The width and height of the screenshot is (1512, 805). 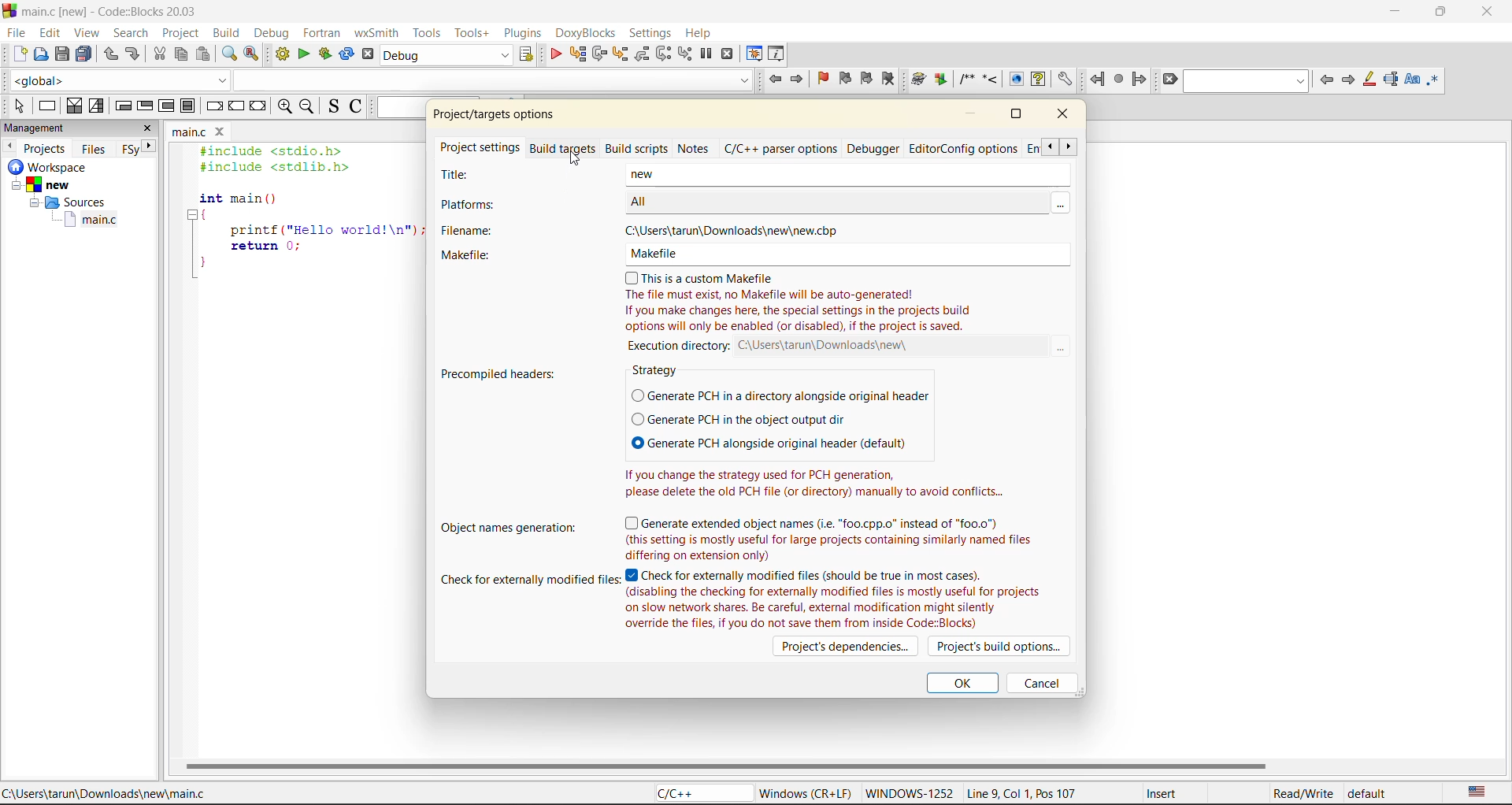 I want to click on Open DoxyBlocks' preferences, so click(x=1063, y=80).